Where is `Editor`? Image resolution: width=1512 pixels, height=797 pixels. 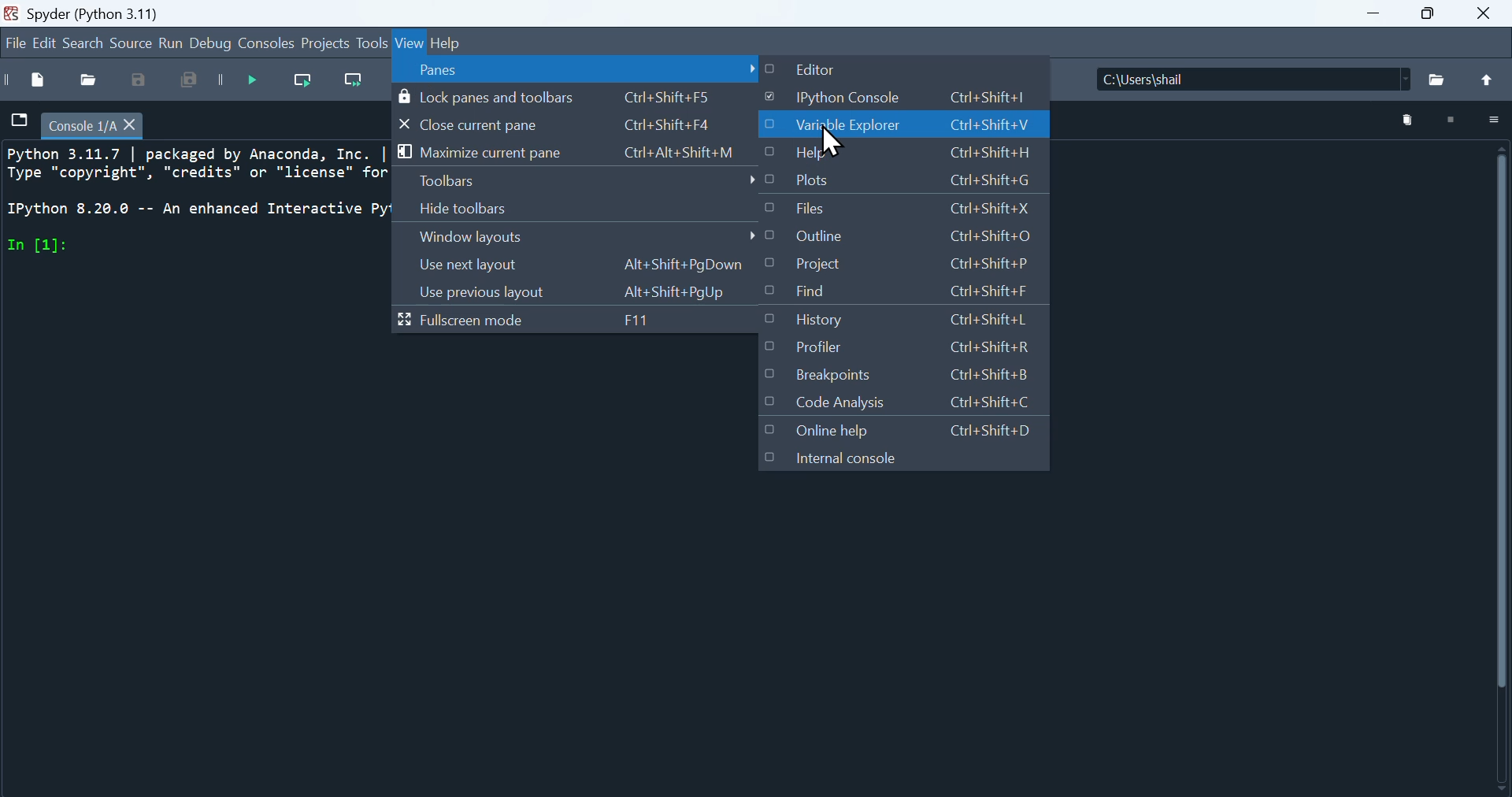
Editor is located at coordinates (888, 70).